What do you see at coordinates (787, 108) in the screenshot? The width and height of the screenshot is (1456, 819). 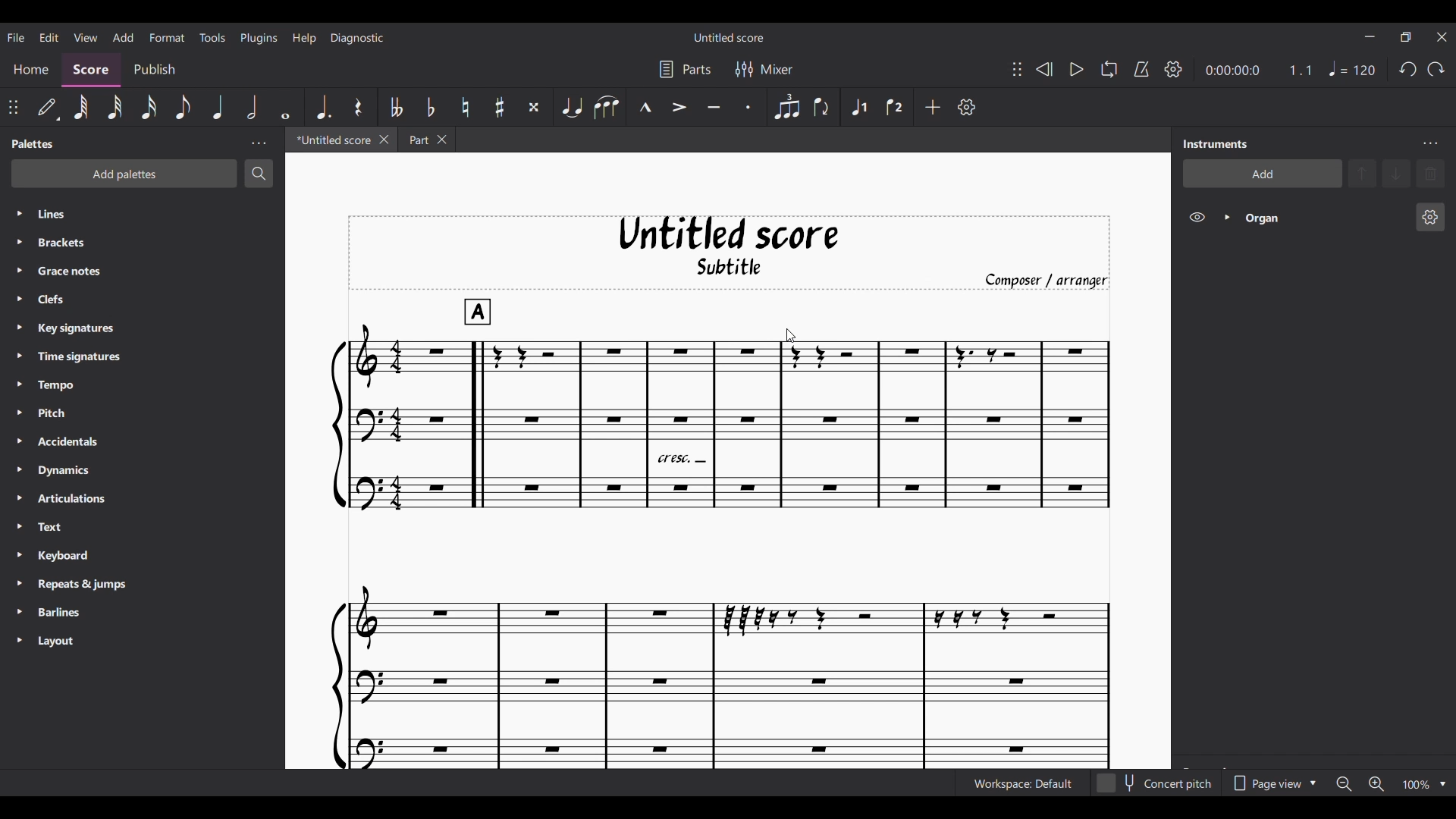 I see `Tuplet` at bounding box center [787, 108].